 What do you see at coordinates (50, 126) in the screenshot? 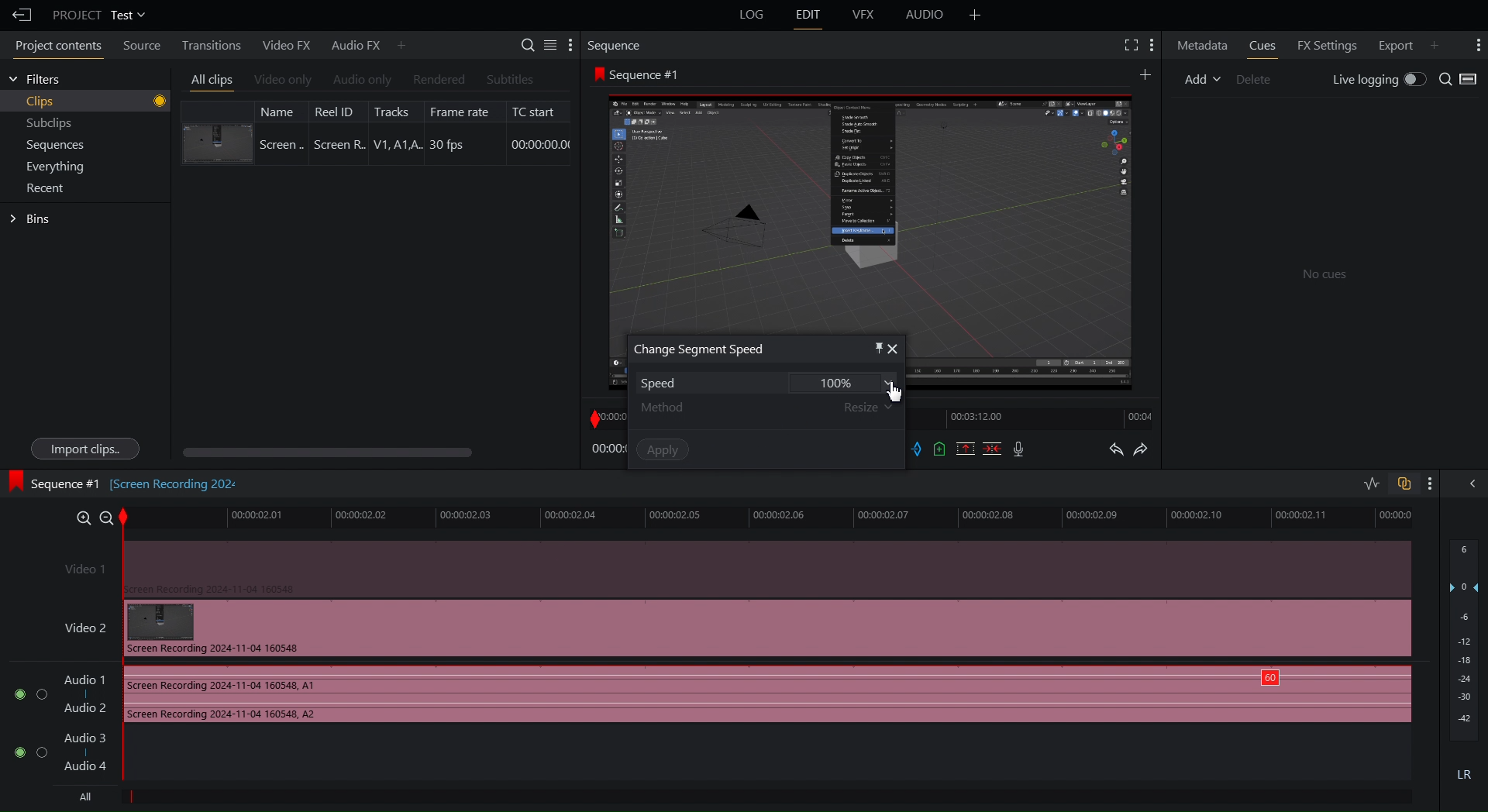
I see `Subclips` at bounding box center [50, 126].